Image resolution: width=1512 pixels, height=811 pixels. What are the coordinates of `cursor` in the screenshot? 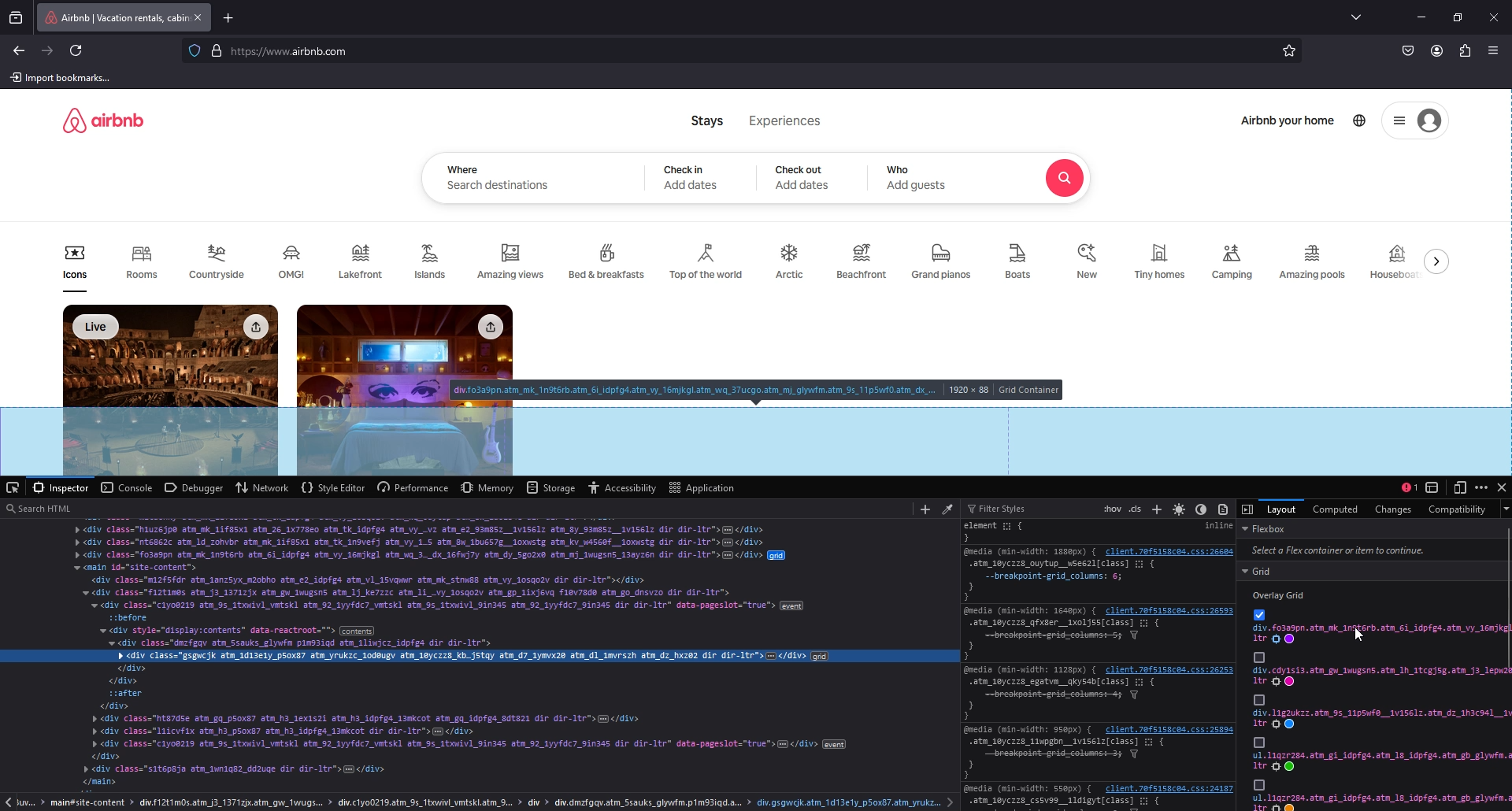 It's located at (1359, 635).